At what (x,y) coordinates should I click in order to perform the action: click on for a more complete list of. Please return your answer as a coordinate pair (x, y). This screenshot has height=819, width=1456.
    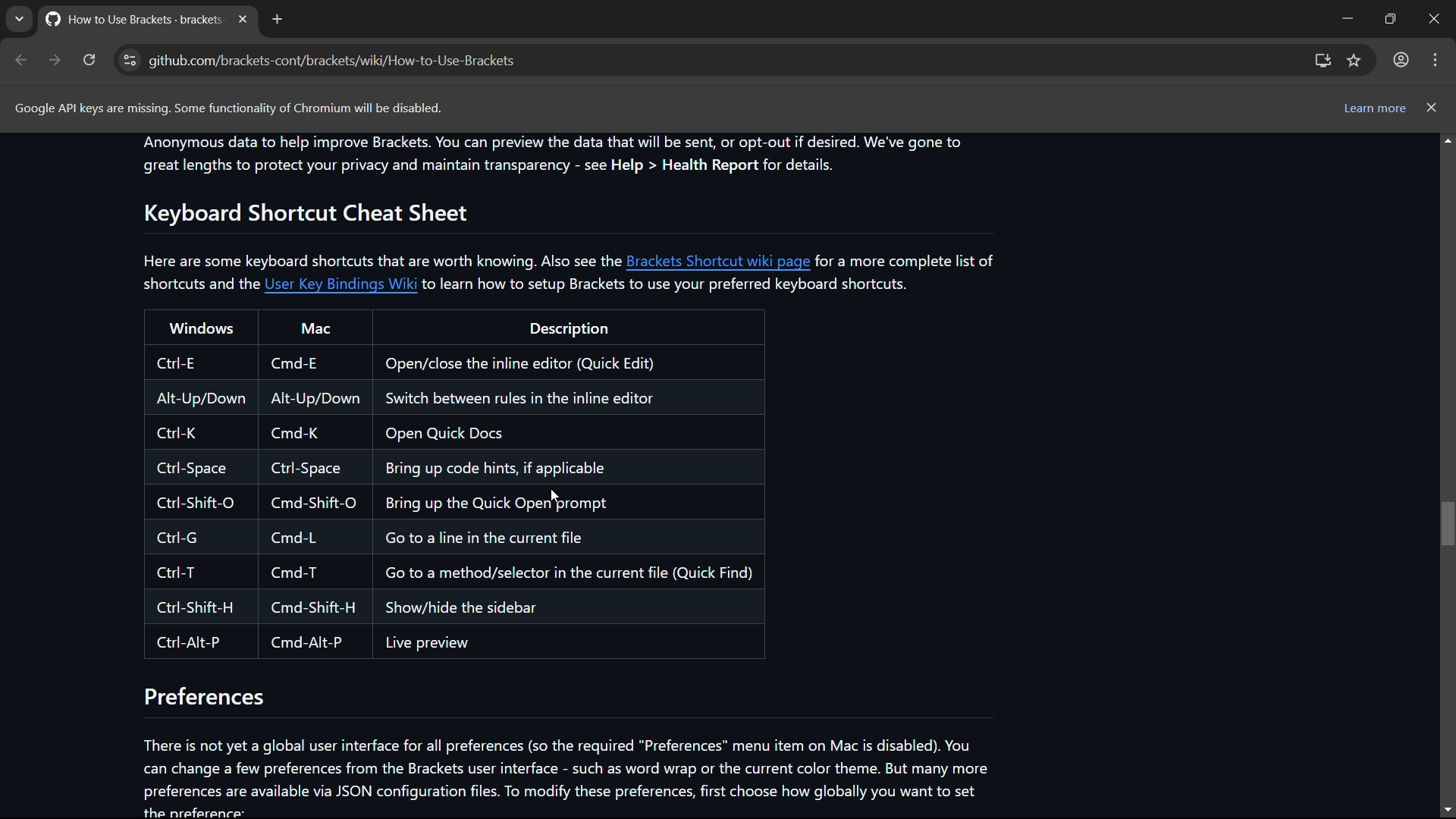
    Looking at the image, I should click on (908, 260).